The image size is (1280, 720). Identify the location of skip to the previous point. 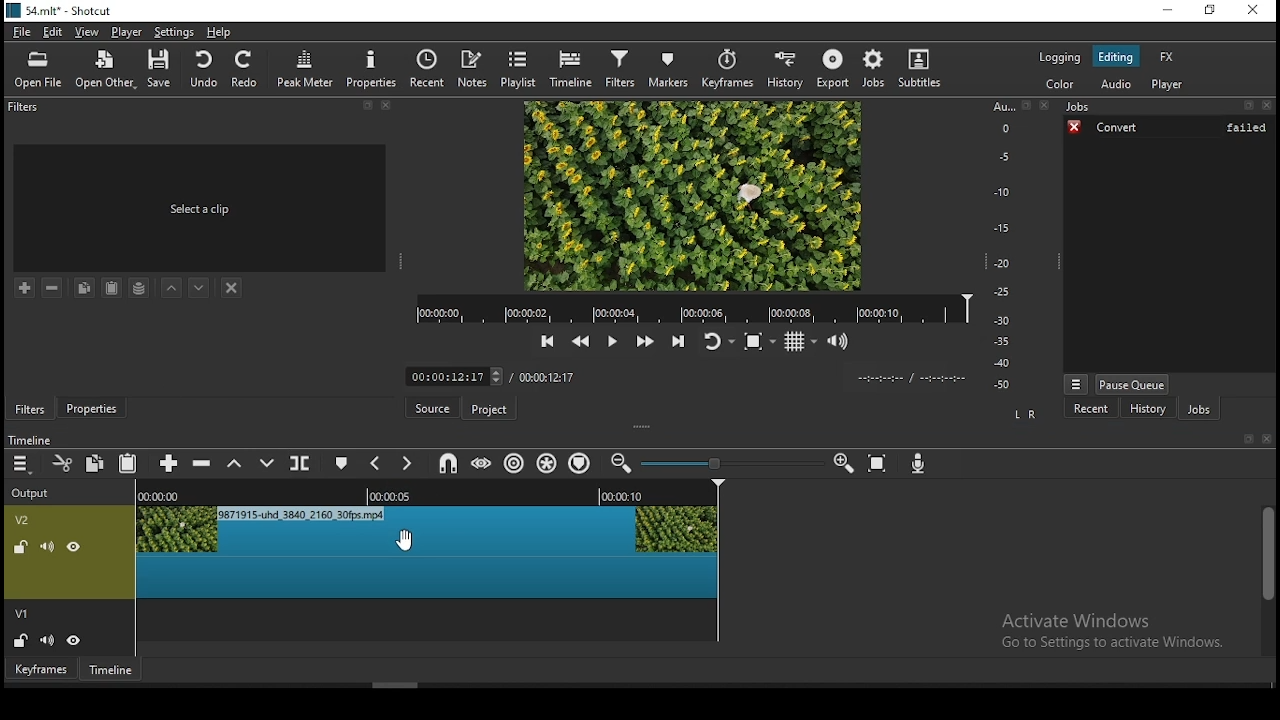
(547, 342).